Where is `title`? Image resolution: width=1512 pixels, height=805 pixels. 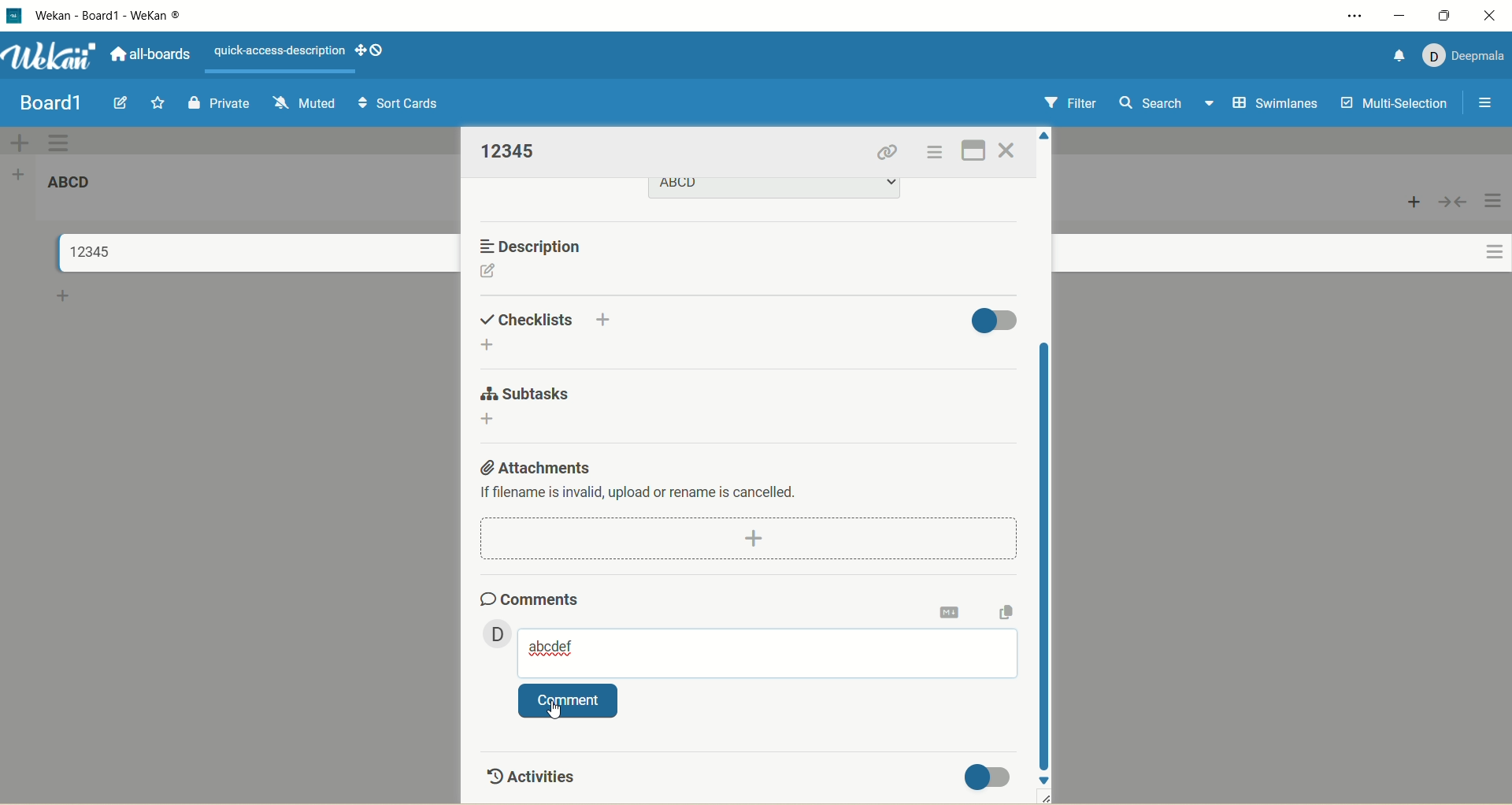
title is located at coordinates (83, 252).